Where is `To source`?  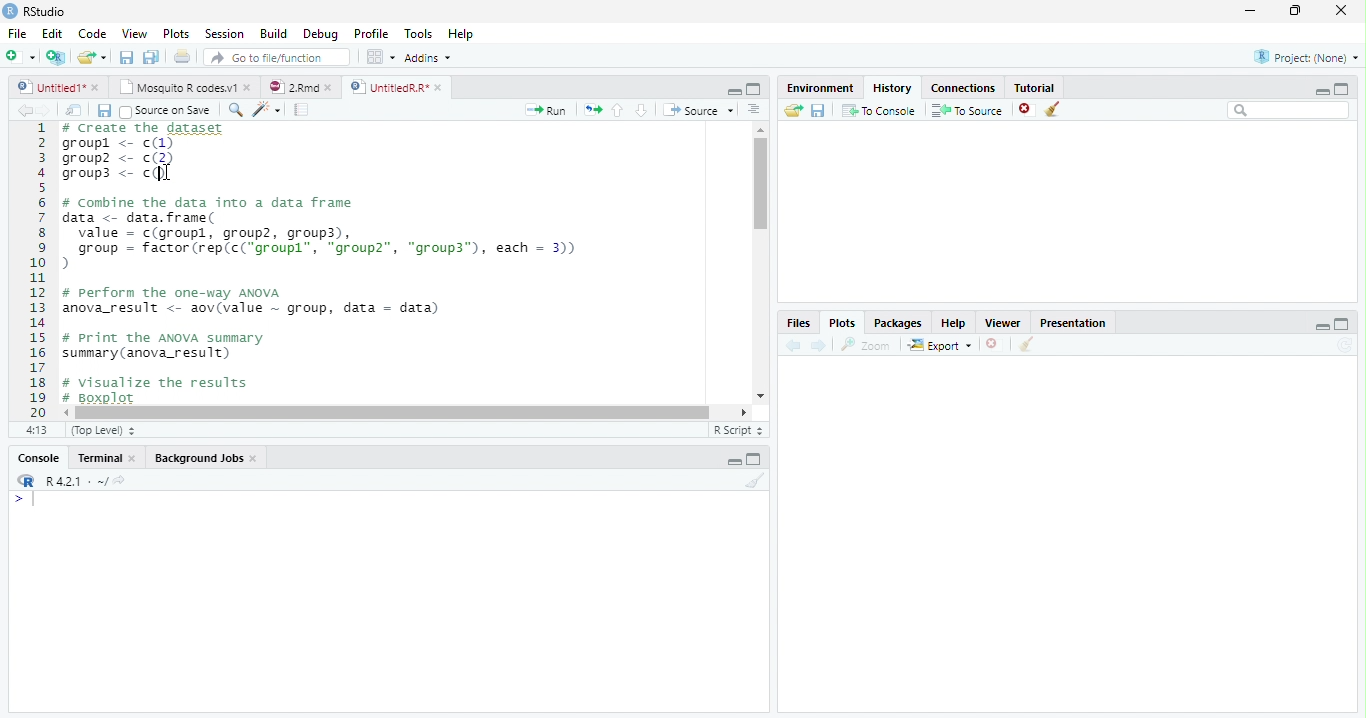
To source is located at coordinates (970, 112).